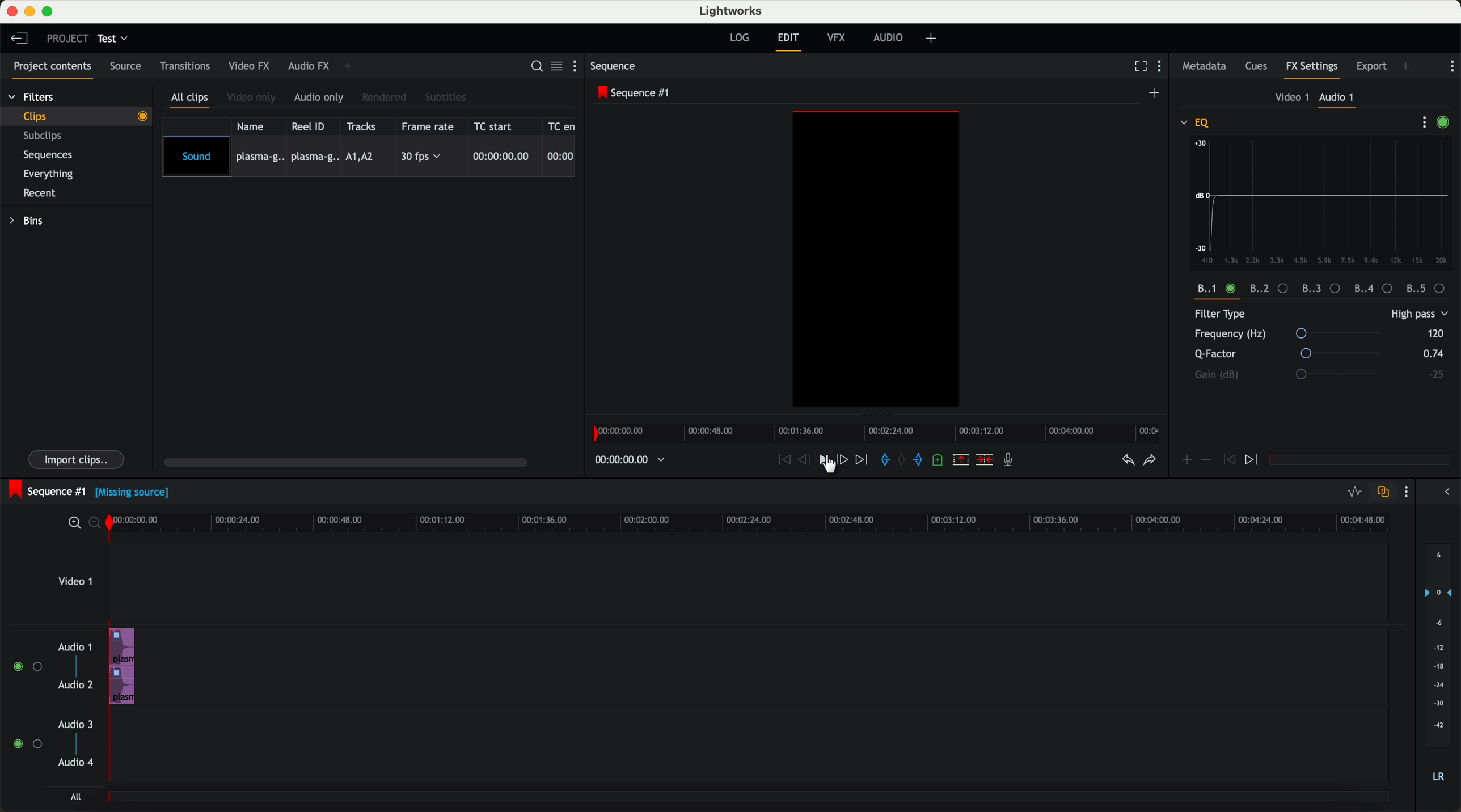 This screenshot has height=812, width=1461. What do you see at coordinates (1312, 68) in the screenshot?
I see `FX settings` at bounding box center [1312, 68].